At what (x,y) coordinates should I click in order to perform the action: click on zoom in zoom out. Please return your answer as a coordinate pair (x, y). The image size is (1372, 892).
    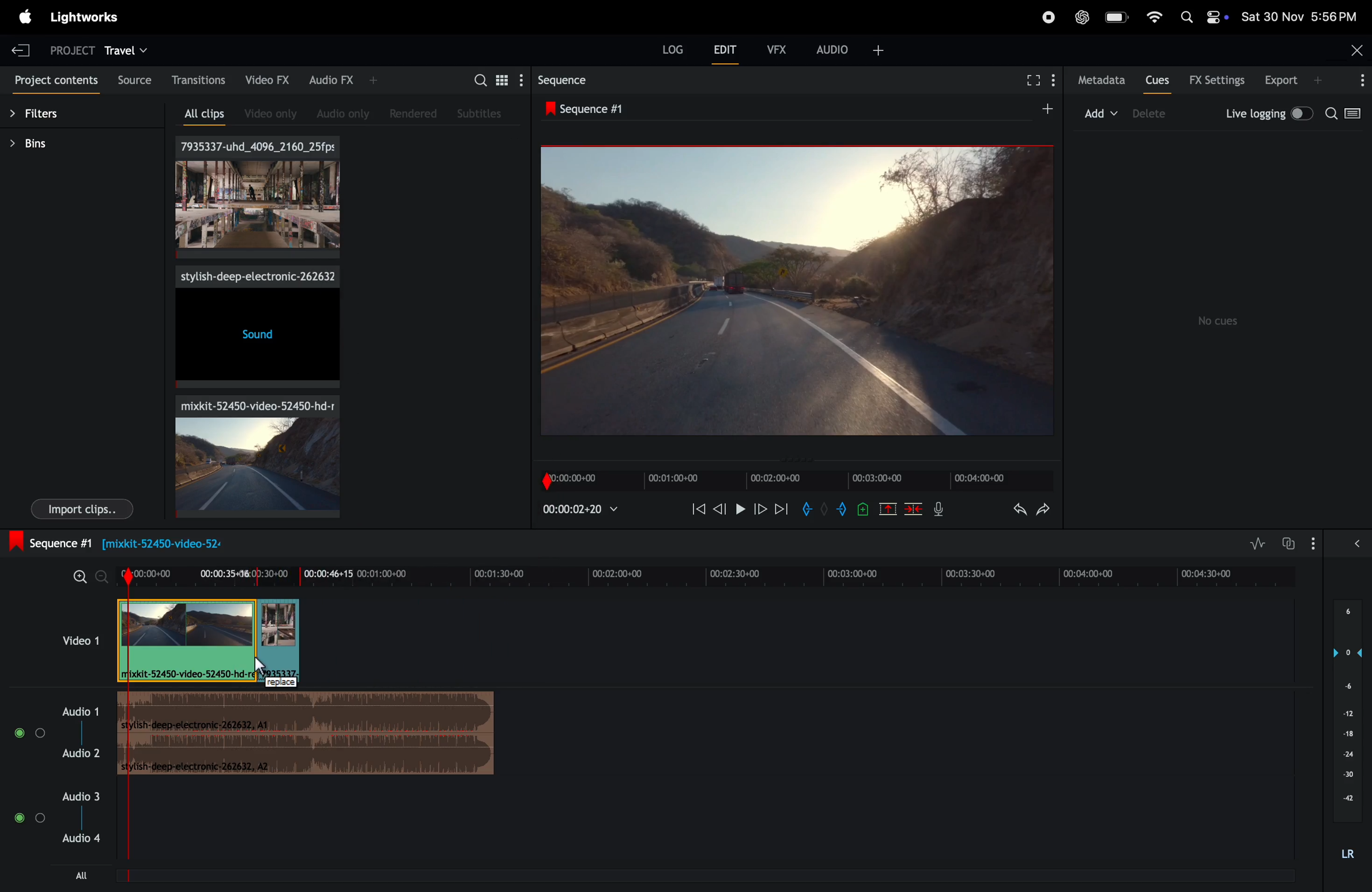
    Looking at the image, I should click on (82, 576).